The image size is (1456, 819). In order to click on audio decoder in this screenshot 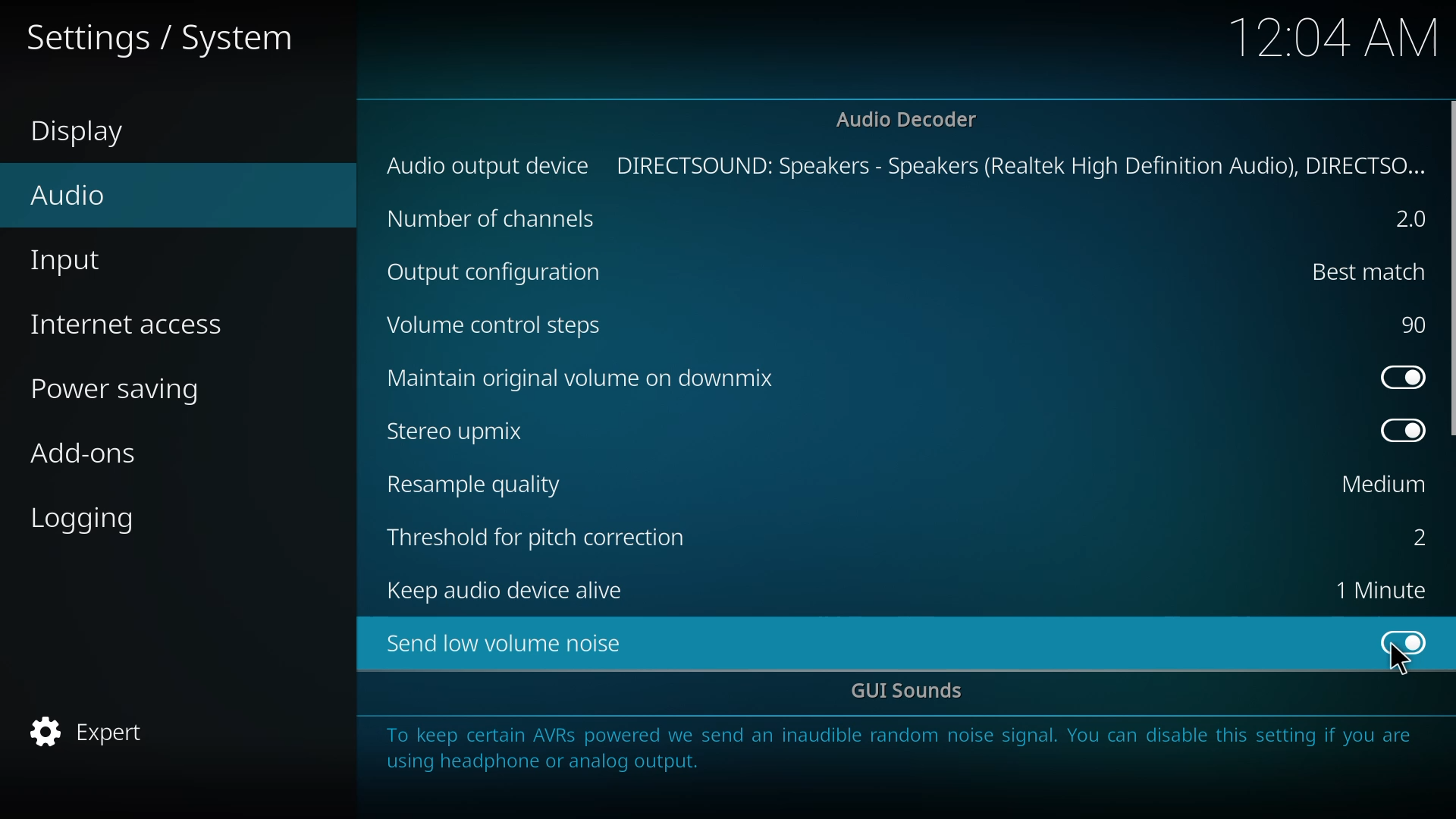, I will do `click(912, 118)`.